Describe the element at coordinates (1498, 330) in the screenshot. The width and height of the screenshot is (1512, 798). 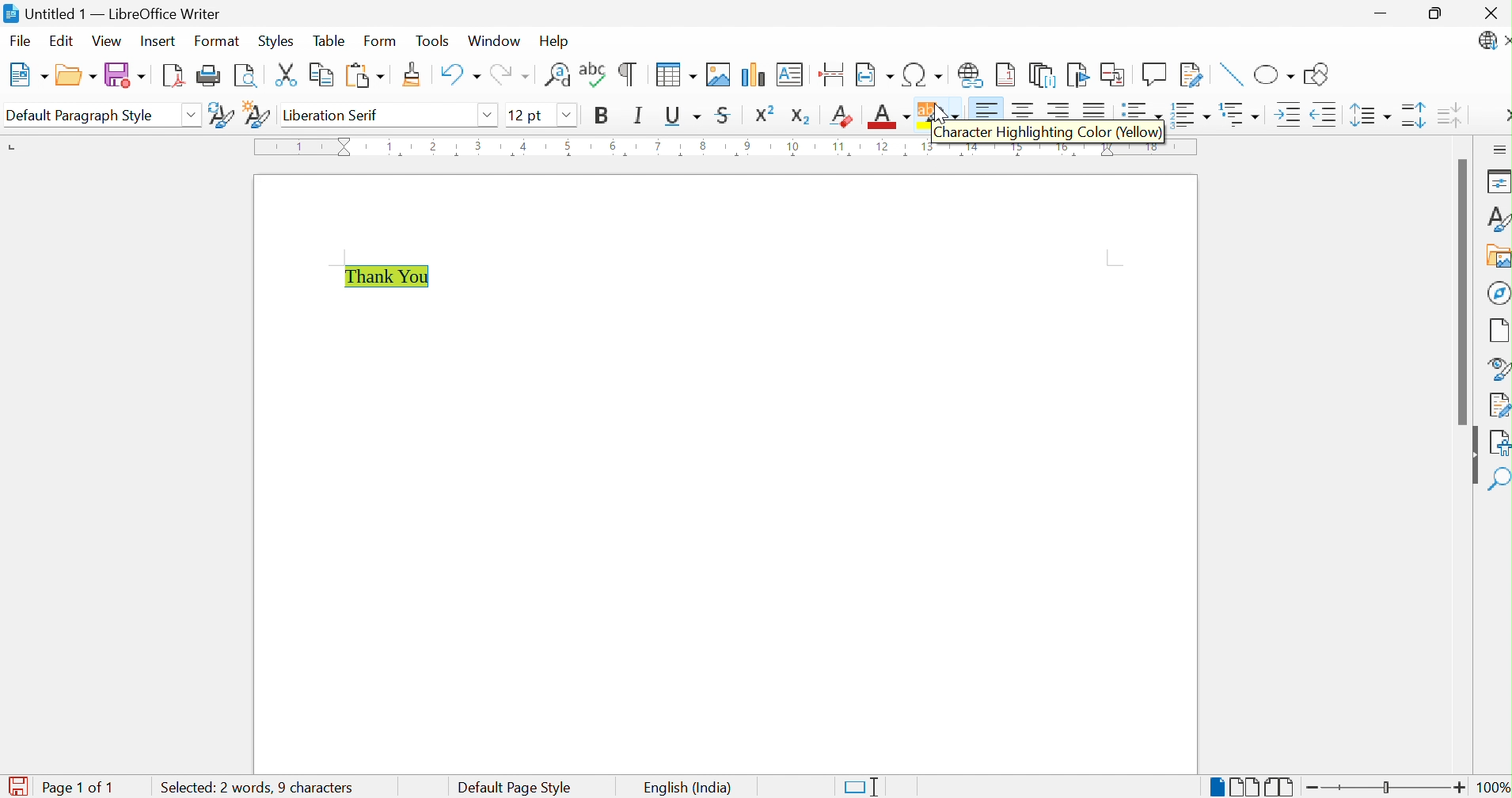
I see `Page` at that location.